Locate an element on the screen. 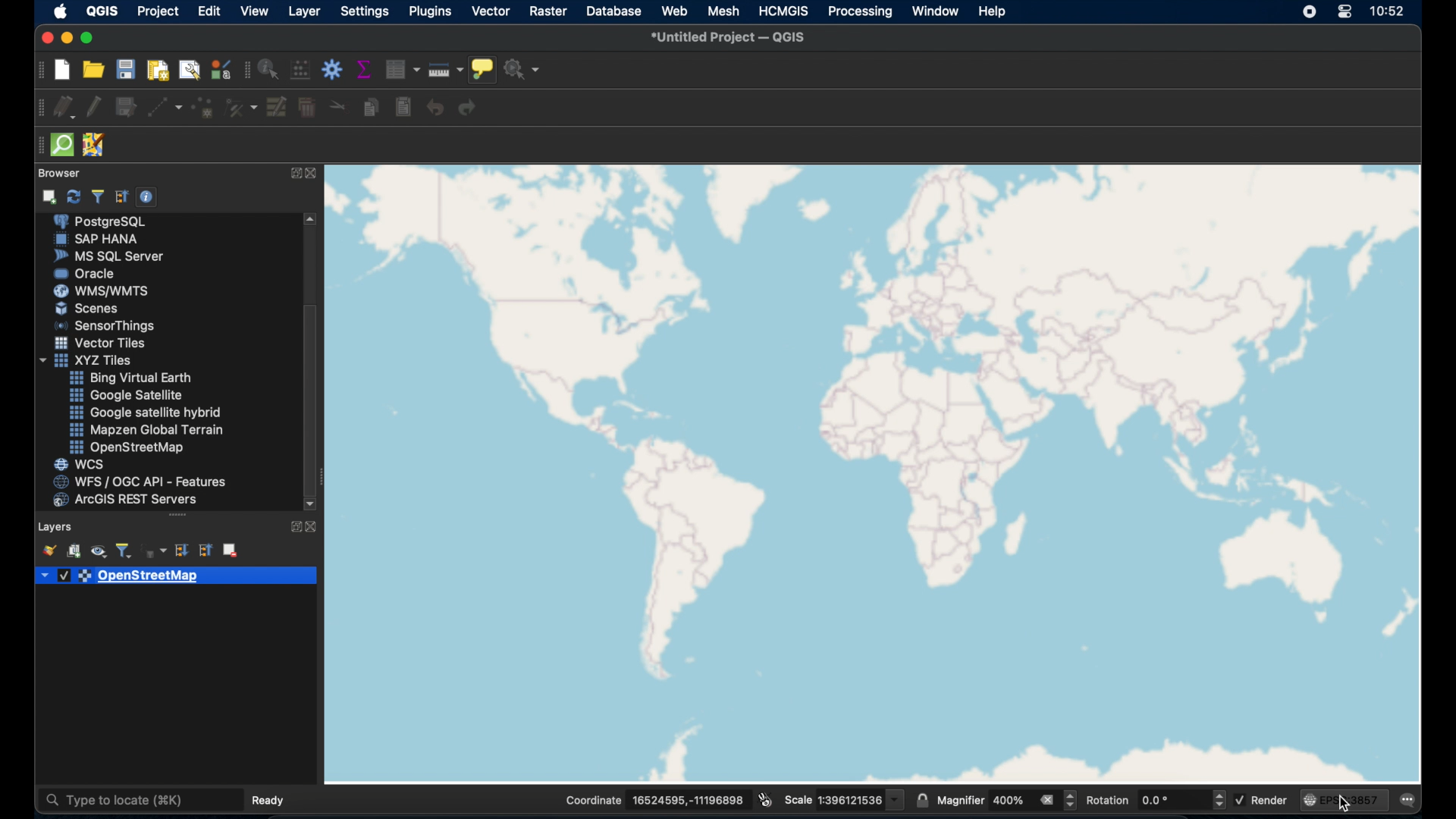 This screenshot has width=1456, height=819. project toolbar is located at coordinates (38, 70).